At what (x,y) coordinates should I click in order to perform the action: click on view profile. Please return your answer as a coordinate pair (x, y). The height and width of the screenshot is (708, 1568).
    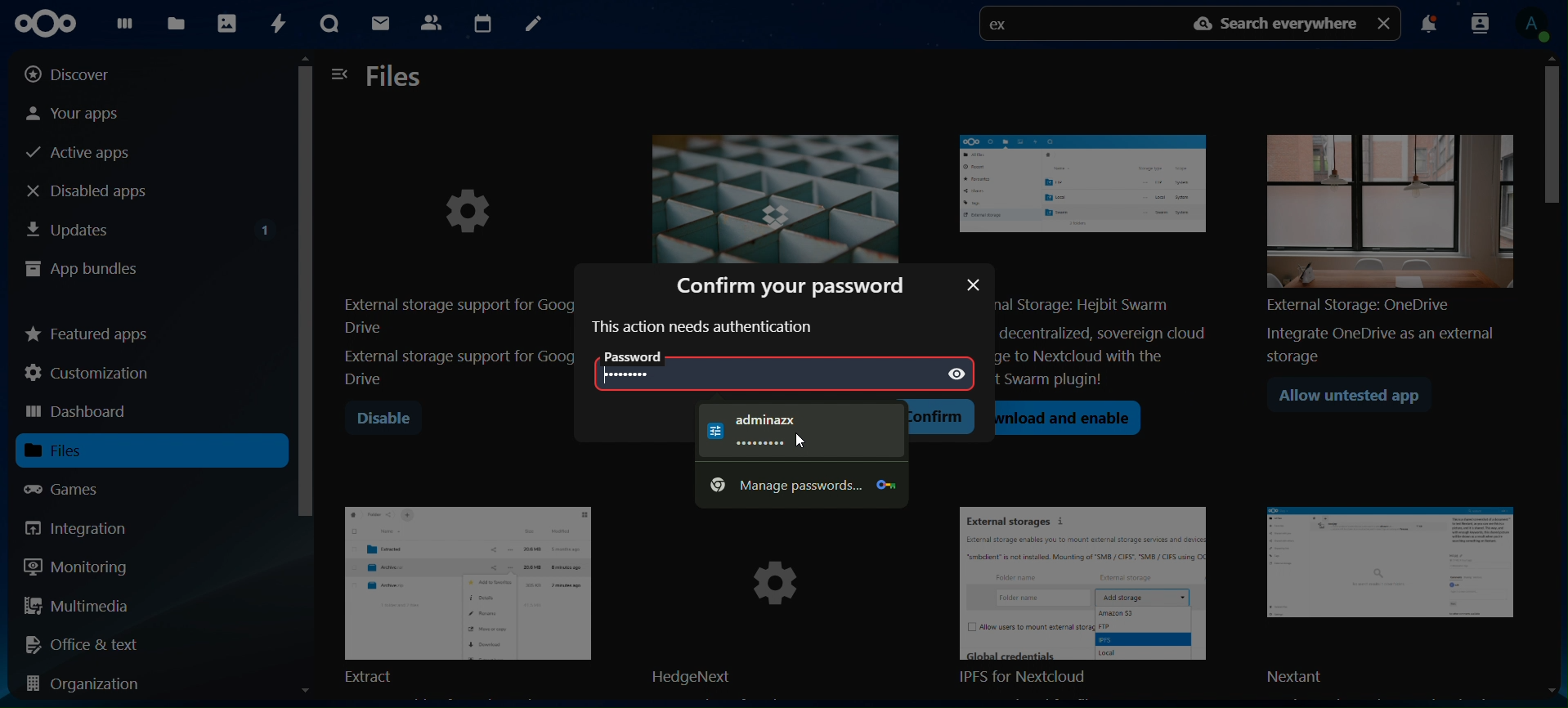
    Looking at the image, I should click on (1538, 25).